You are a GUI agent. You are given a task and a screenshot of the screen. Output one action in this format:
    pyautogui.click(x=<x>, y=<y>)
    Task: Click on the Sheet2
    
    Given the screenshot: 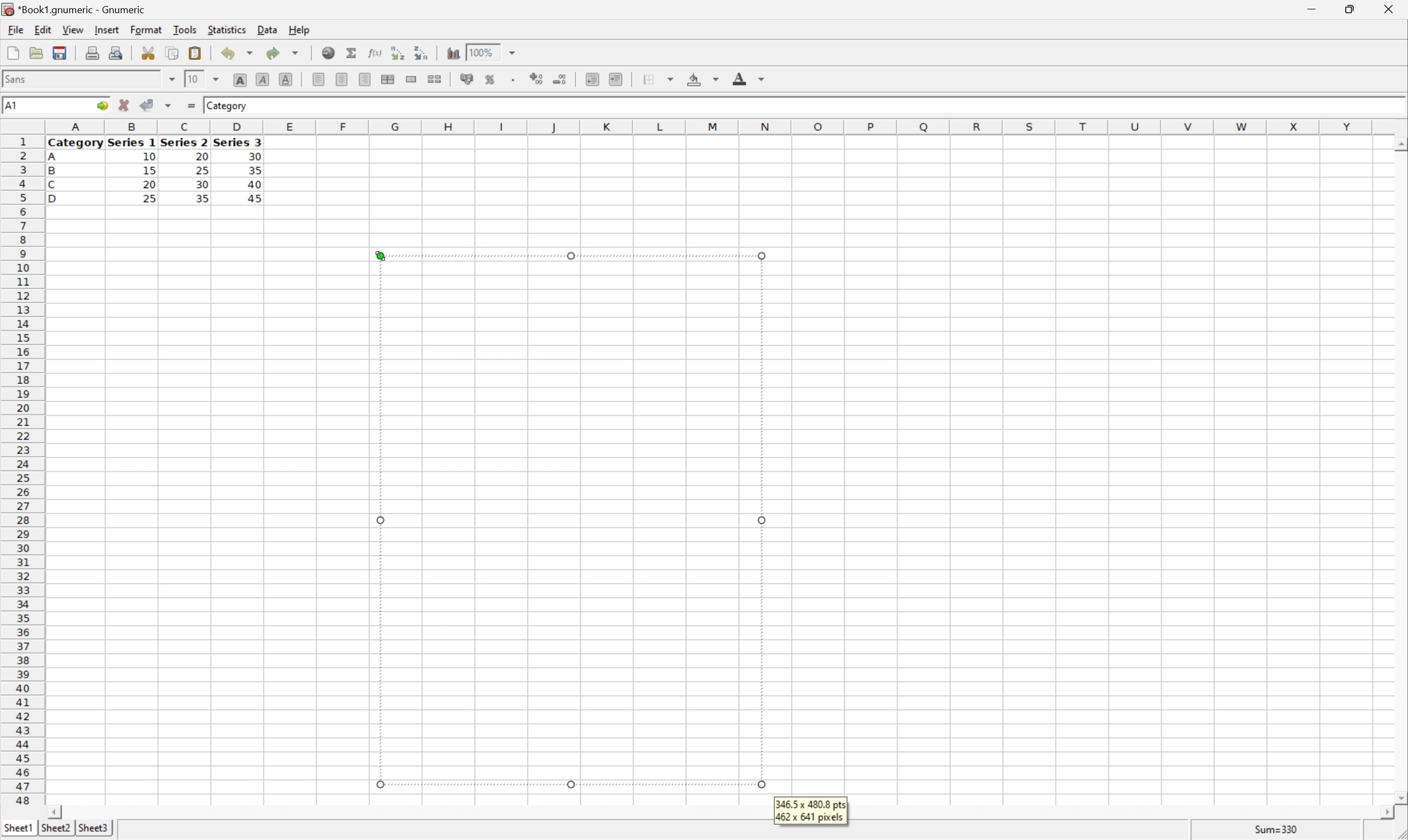 What is the action you would take?
    pyautogui.click(x=55, y=828)
    